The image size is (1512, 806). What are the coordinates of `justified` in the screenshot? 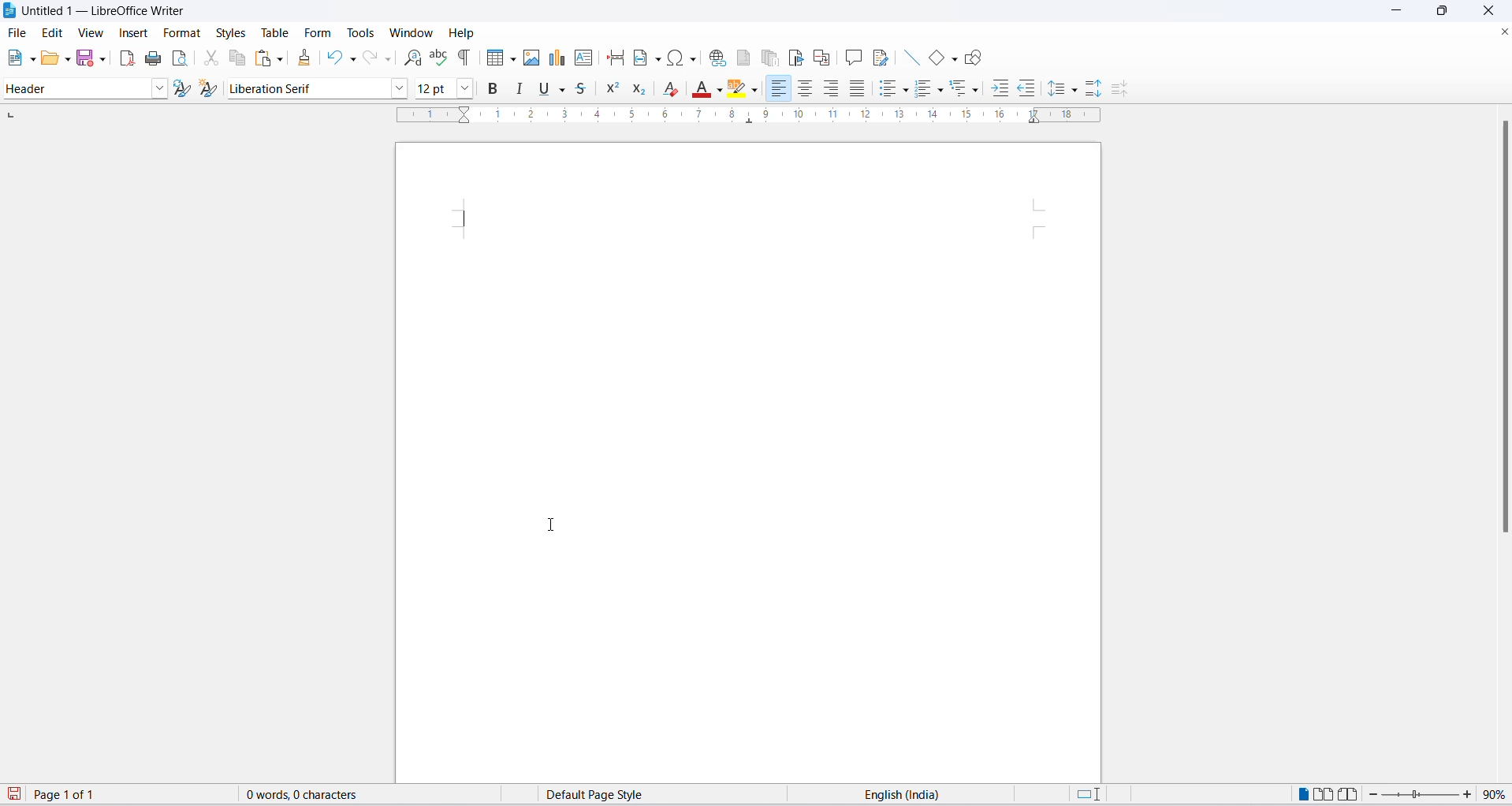 It's located at (855, 89).